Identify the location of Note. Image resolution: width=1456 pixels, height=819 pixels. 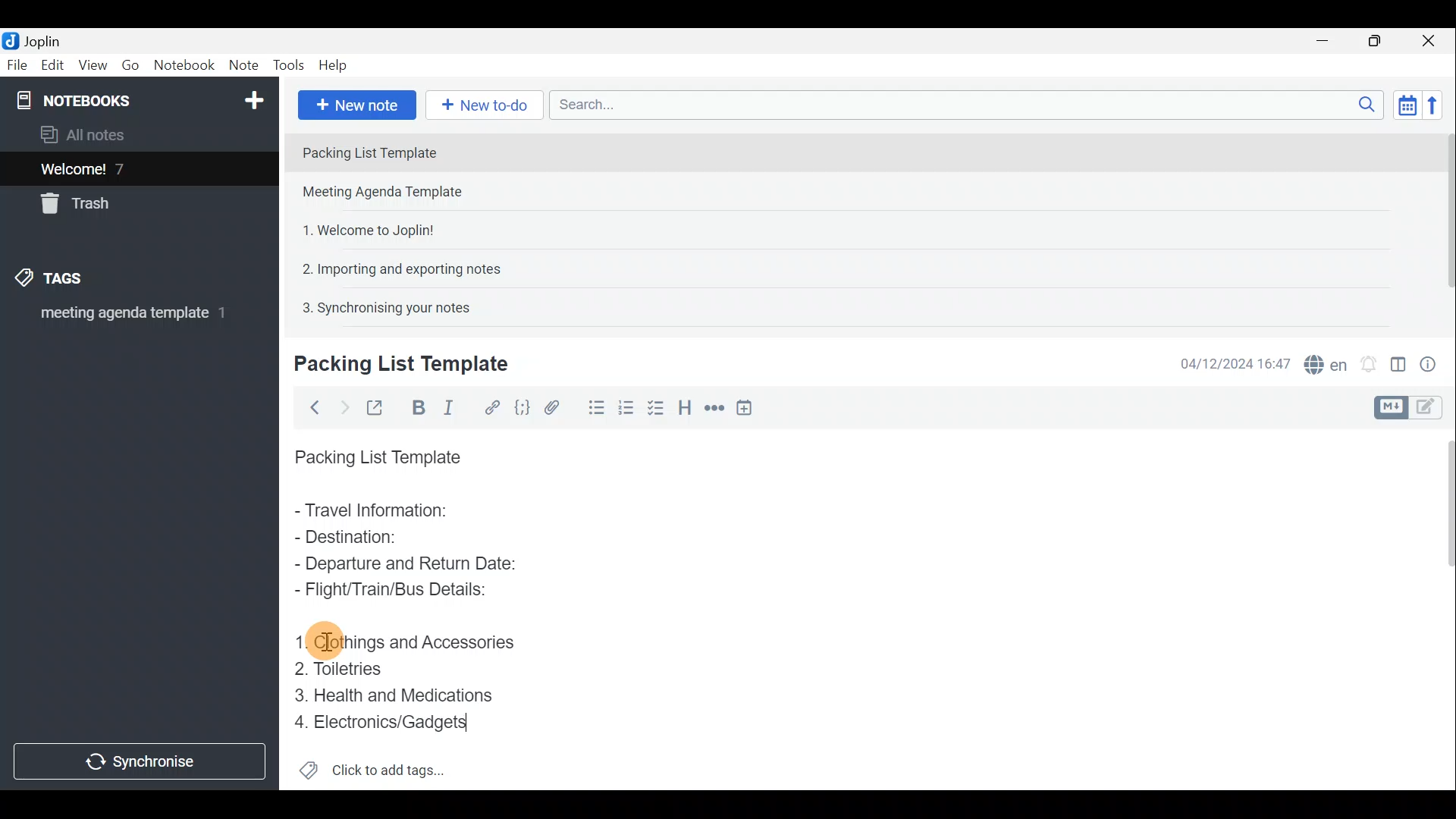
(243, 66).